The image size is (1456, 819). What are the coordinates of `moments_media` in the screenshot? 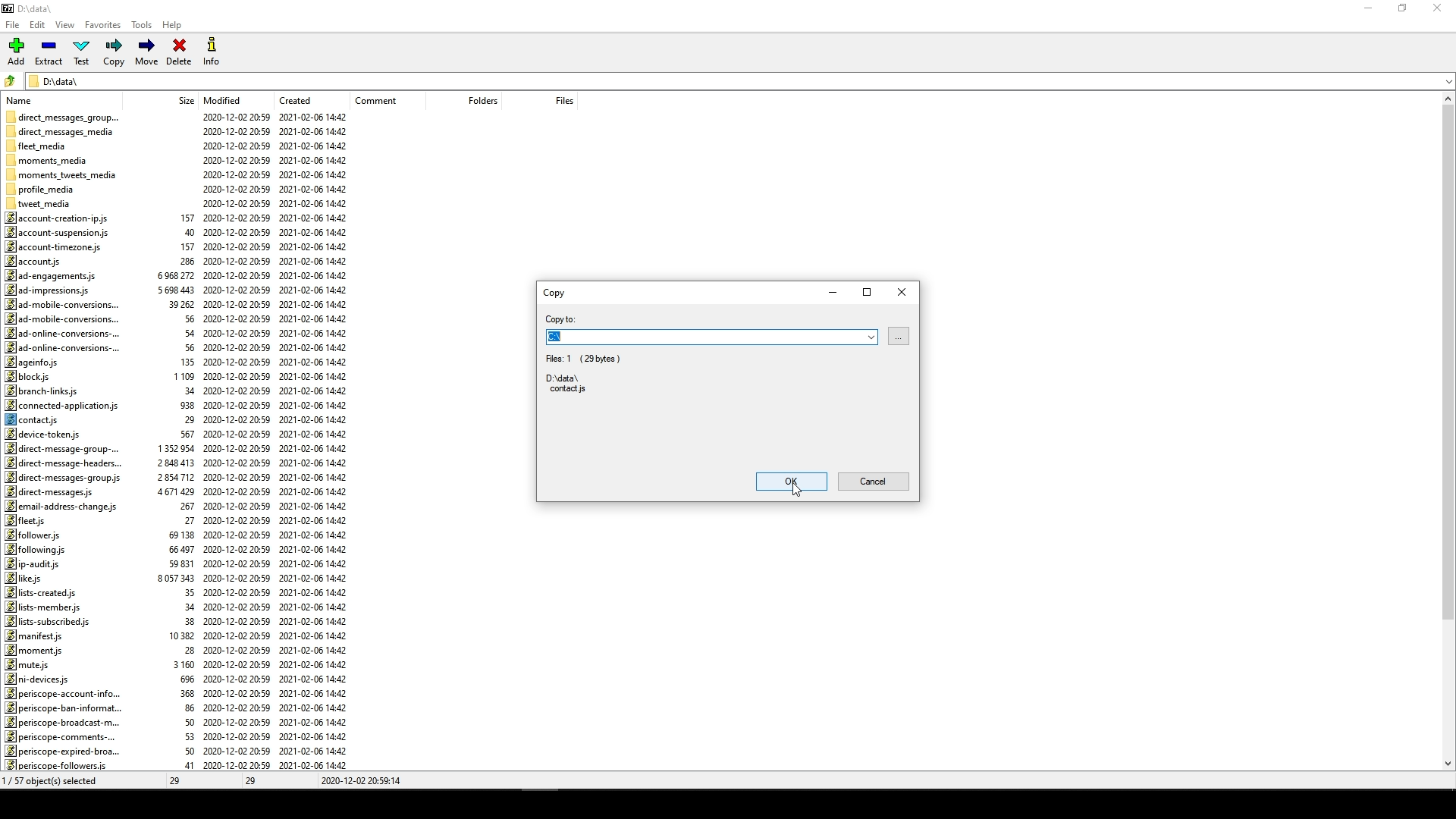 It's located at (52, 158).